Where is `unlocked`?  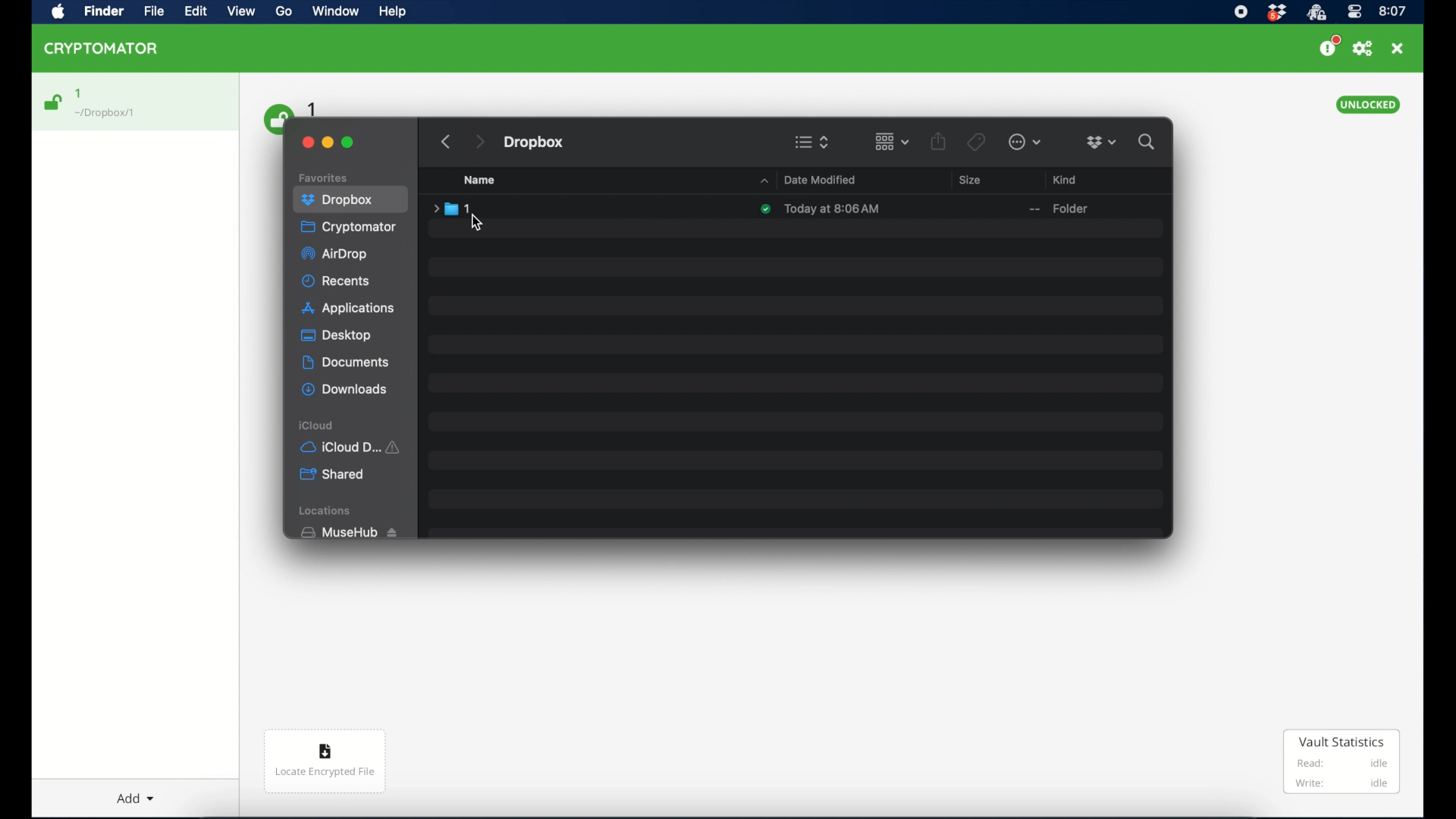 unlocked is located at coordinates (1369, 105).